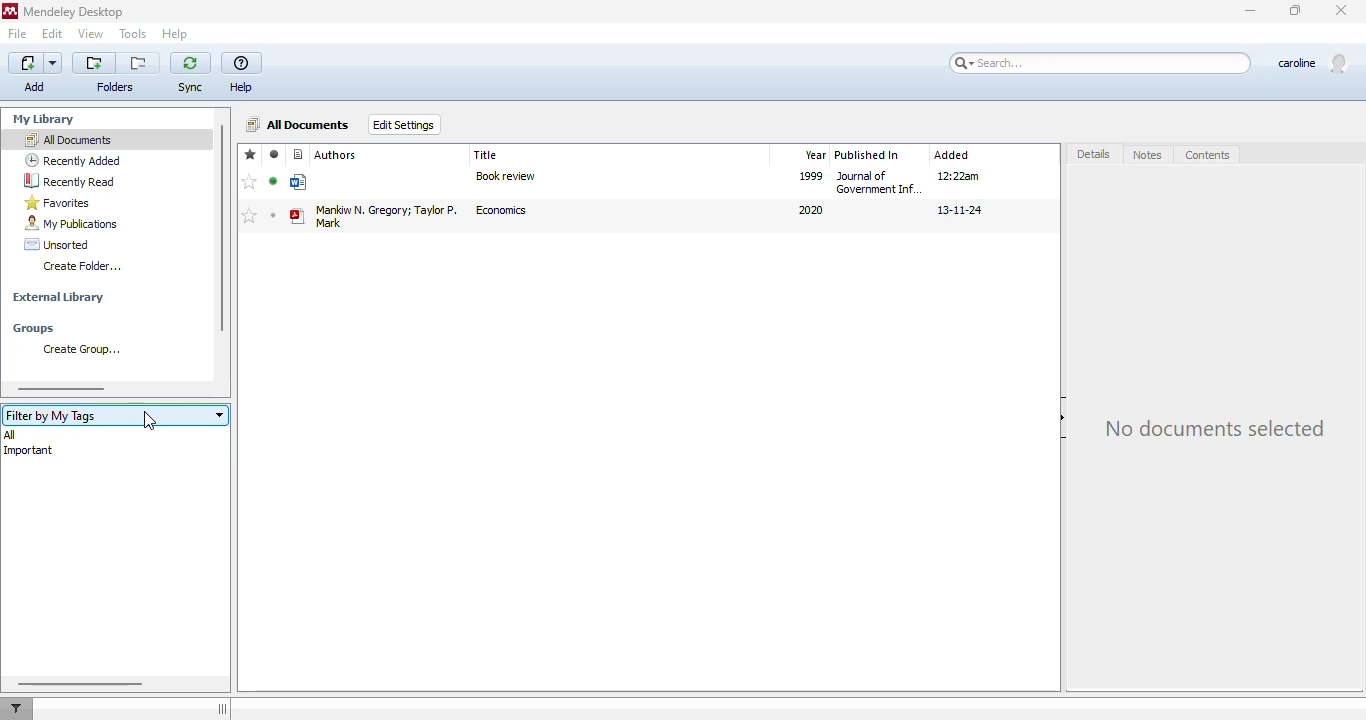 The height and width of the screenshot is (720, 1366). I want to click on sync, so click(190, 73).